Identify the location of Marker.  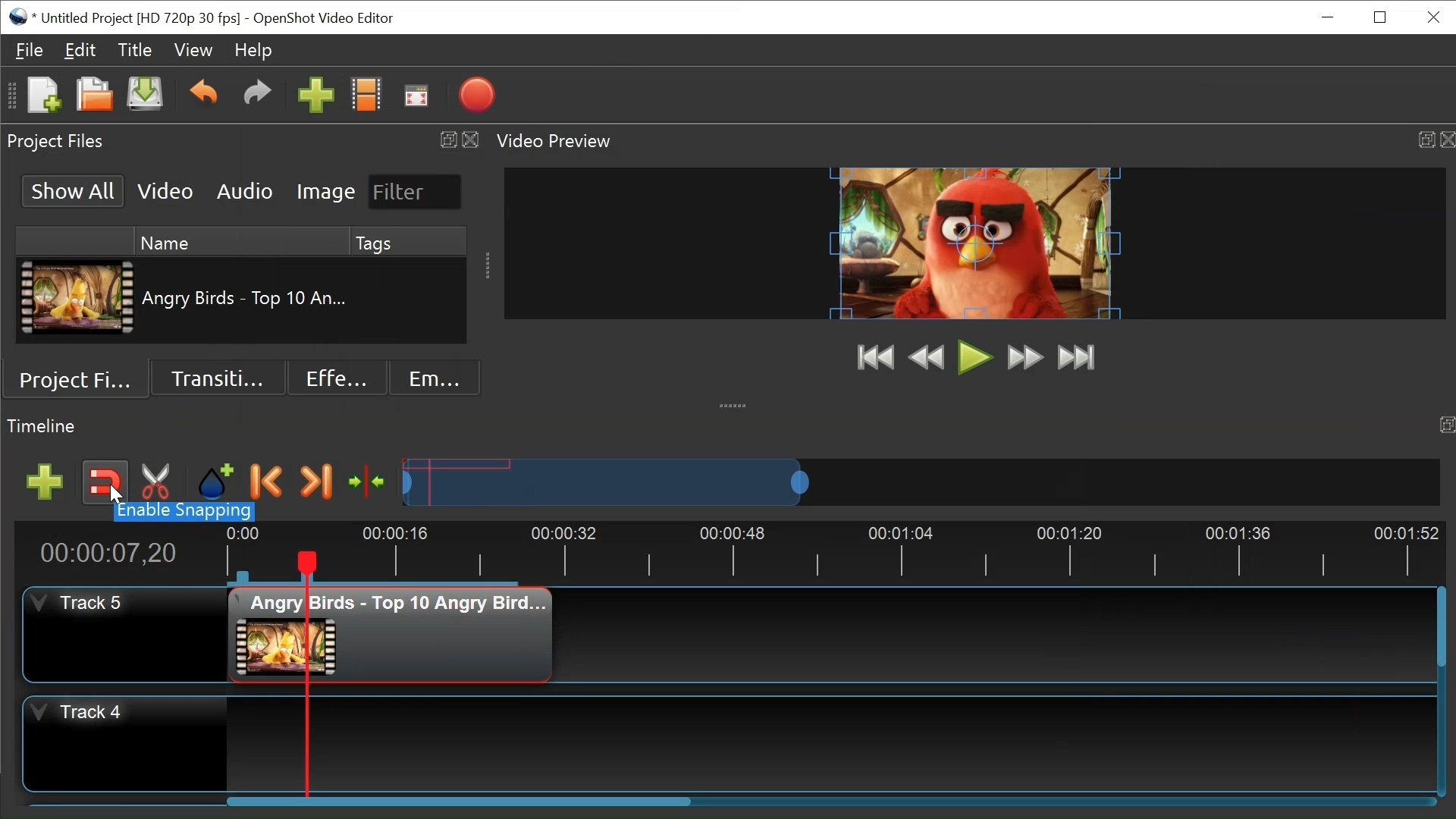
(215, 483).